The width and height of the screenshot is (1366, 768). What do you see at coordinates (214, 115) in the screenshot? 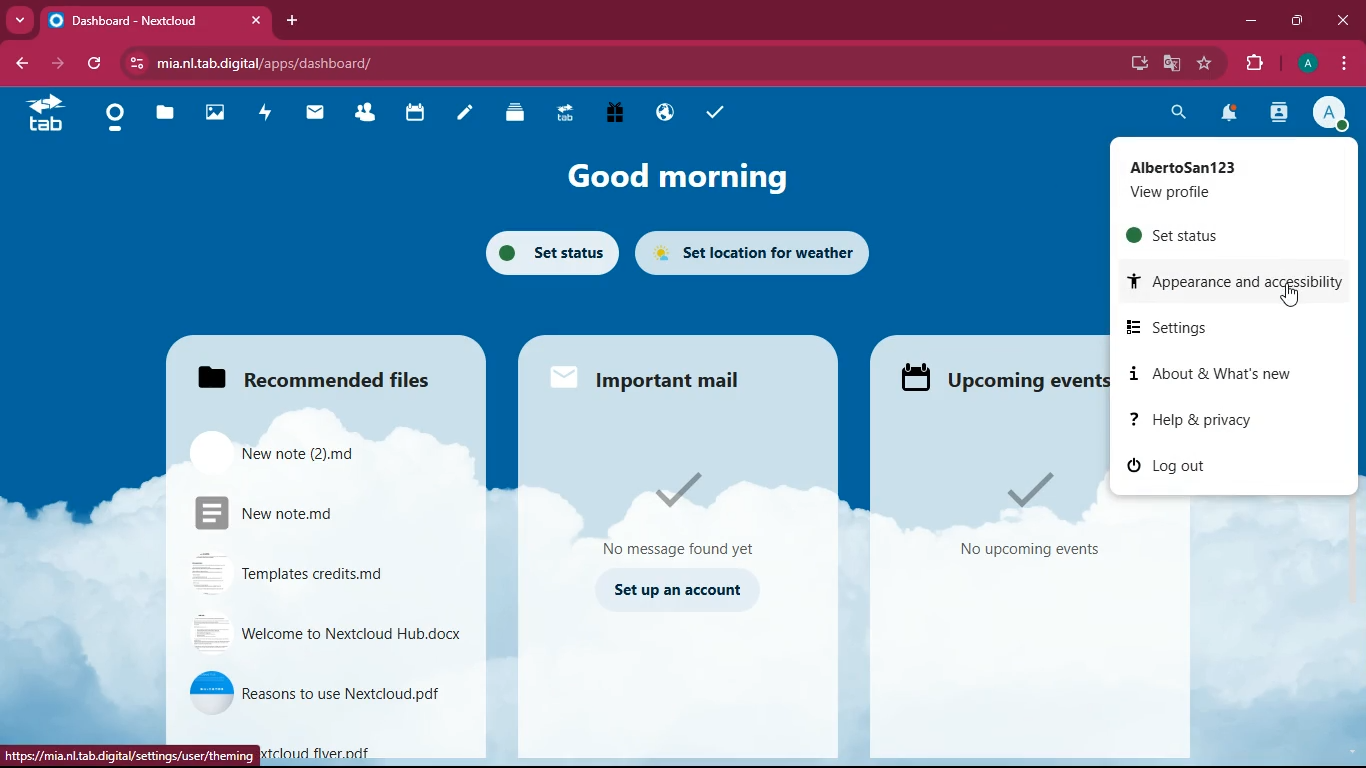
I see `images` at bounding box center [214, 115].